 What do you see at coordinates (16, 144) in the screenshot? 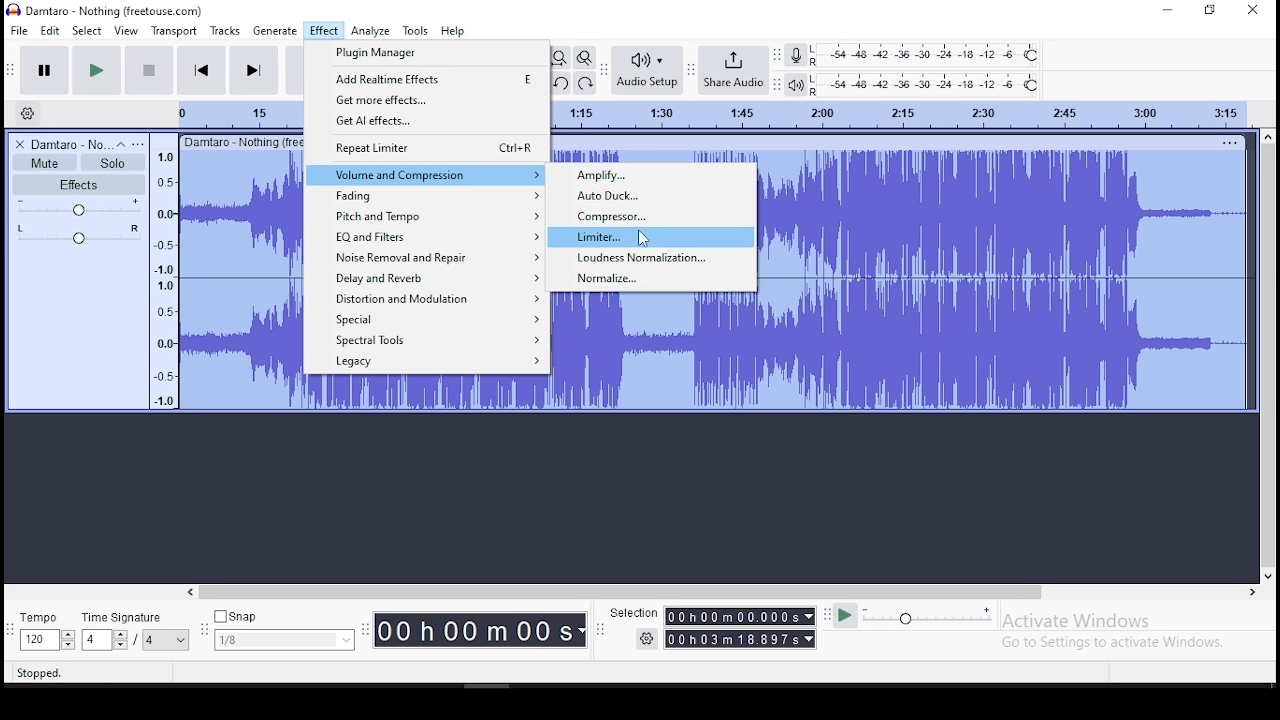
I see `delete track` at bounding box center [16, 144].